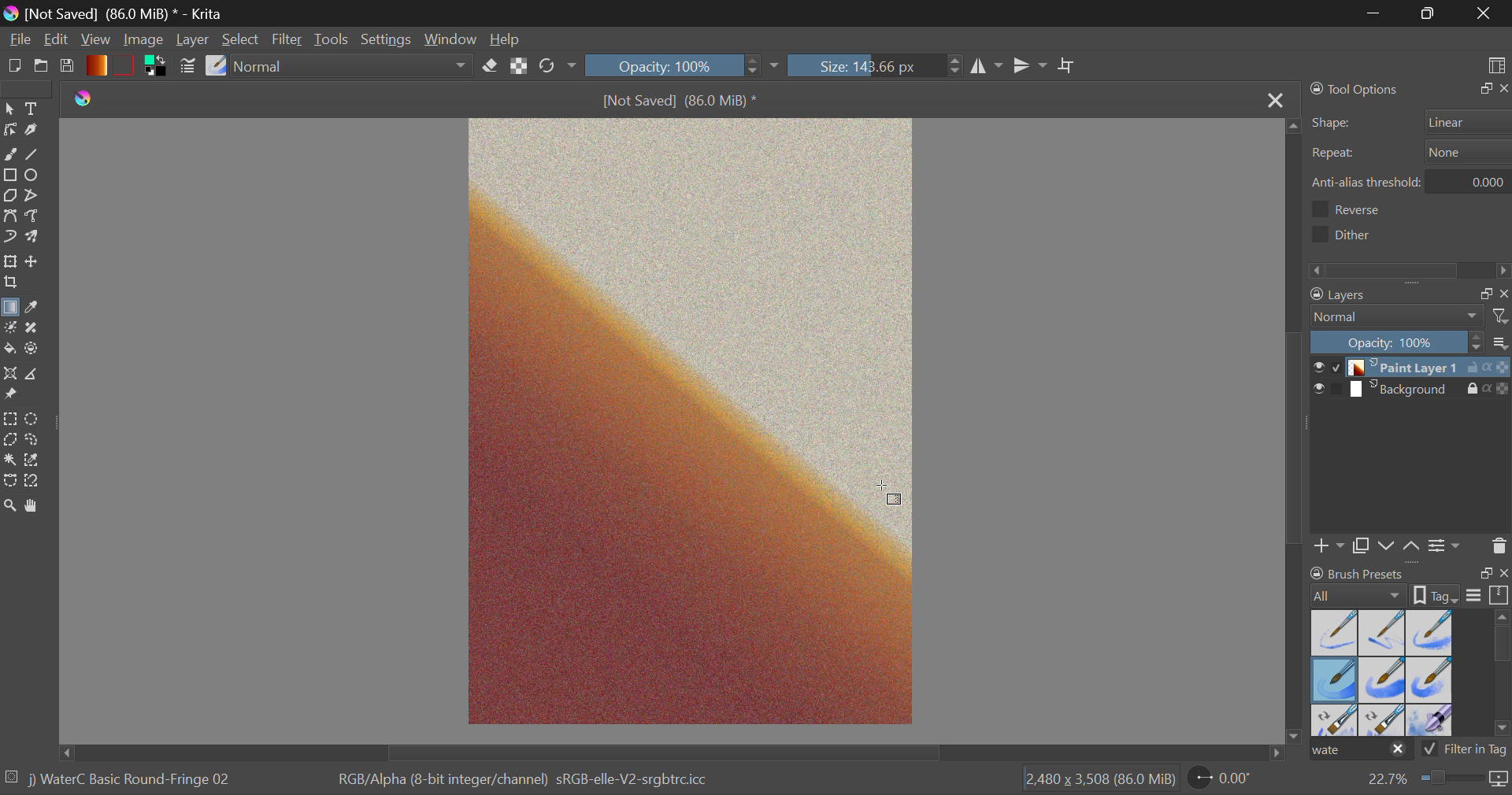 Image resolution: width=1512 pixels, height=795 pixels. I want to click on Shape selector, so click(1469, 121).